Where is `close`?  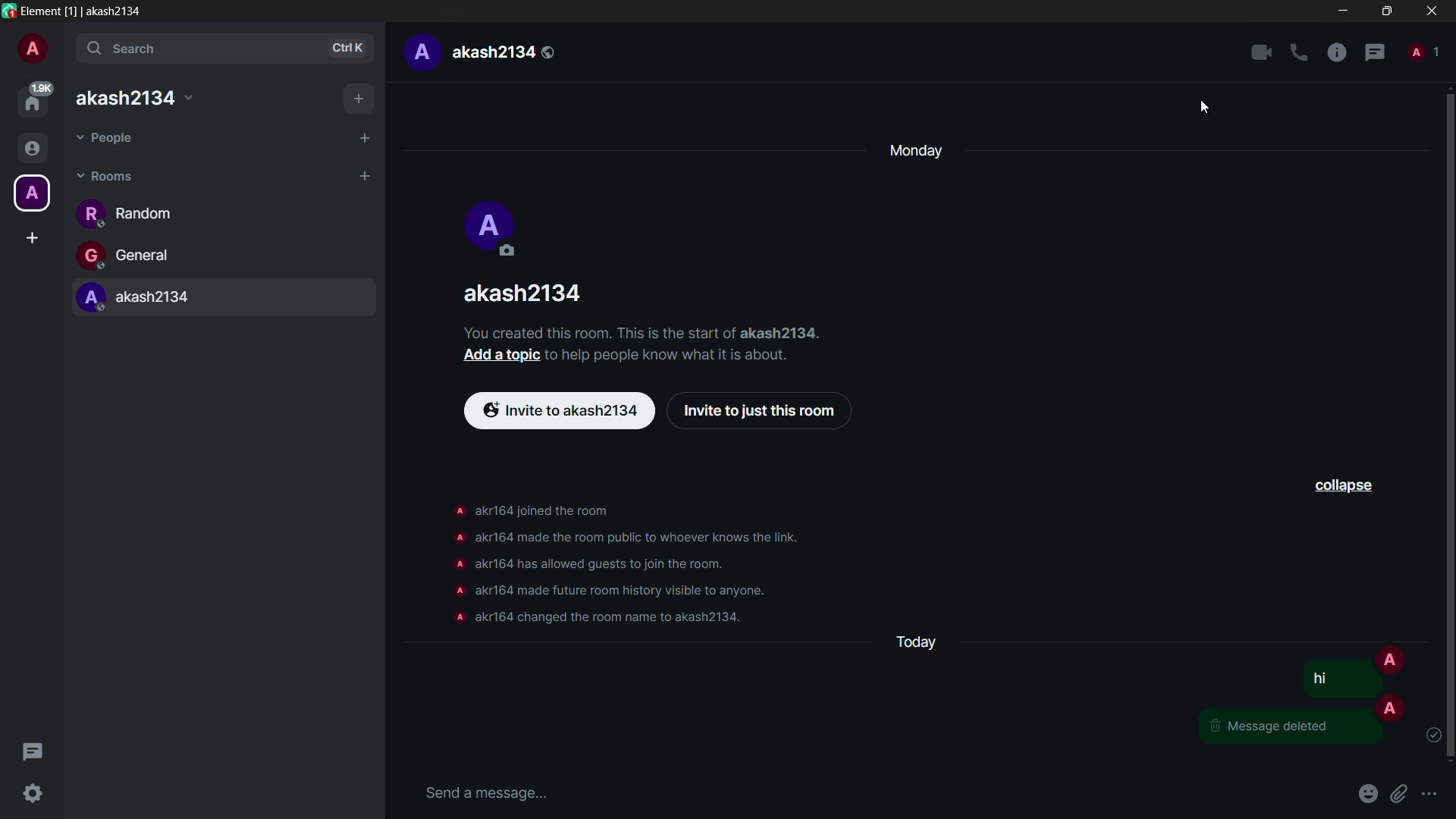 close is located at coordinates (1432, 11).